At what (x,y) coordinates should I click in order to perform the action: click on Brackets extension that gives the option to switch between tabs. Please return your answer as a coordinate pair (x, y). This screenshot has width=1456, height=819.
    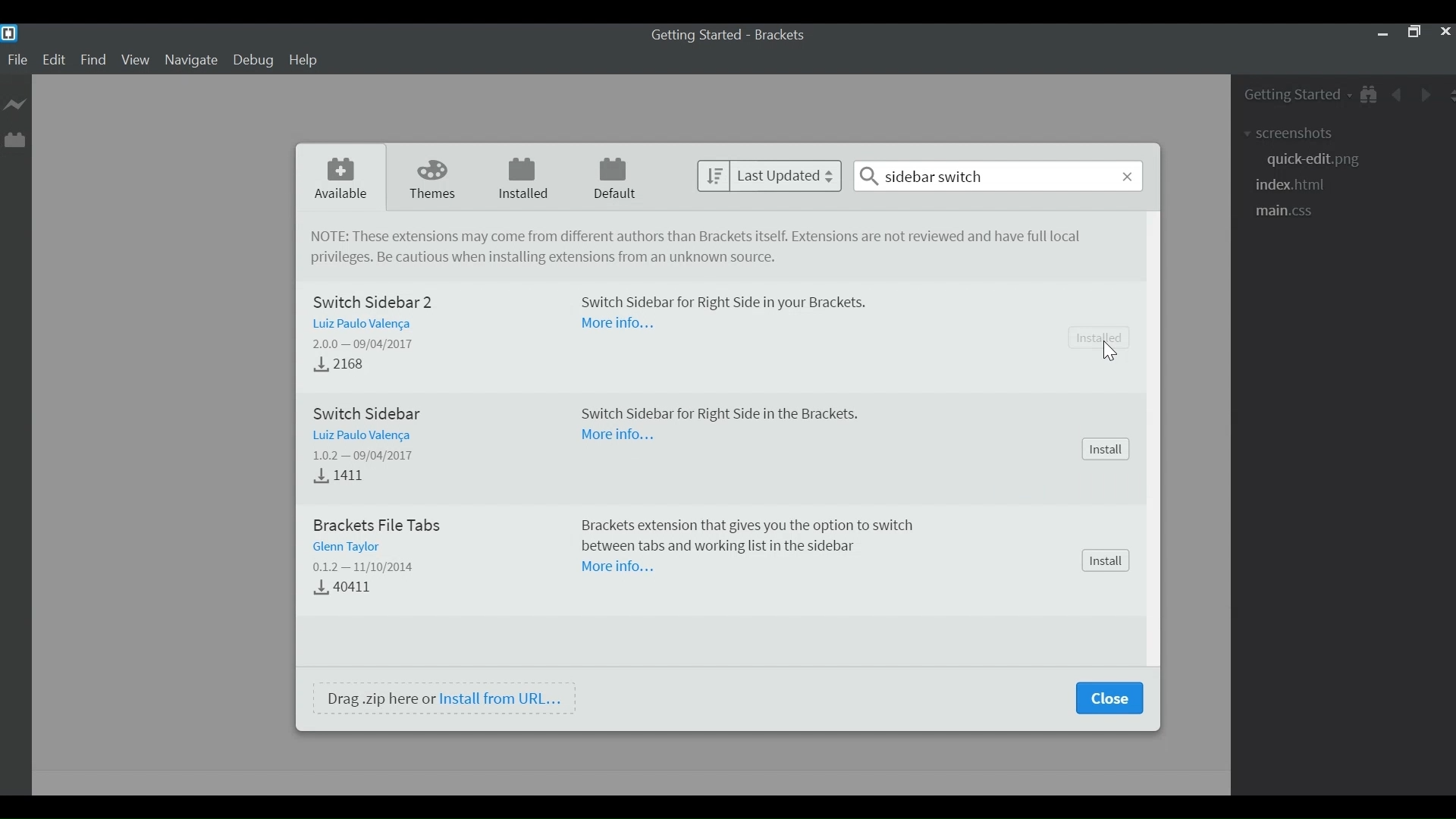
    Looking at the image, I should click on (741, 532).